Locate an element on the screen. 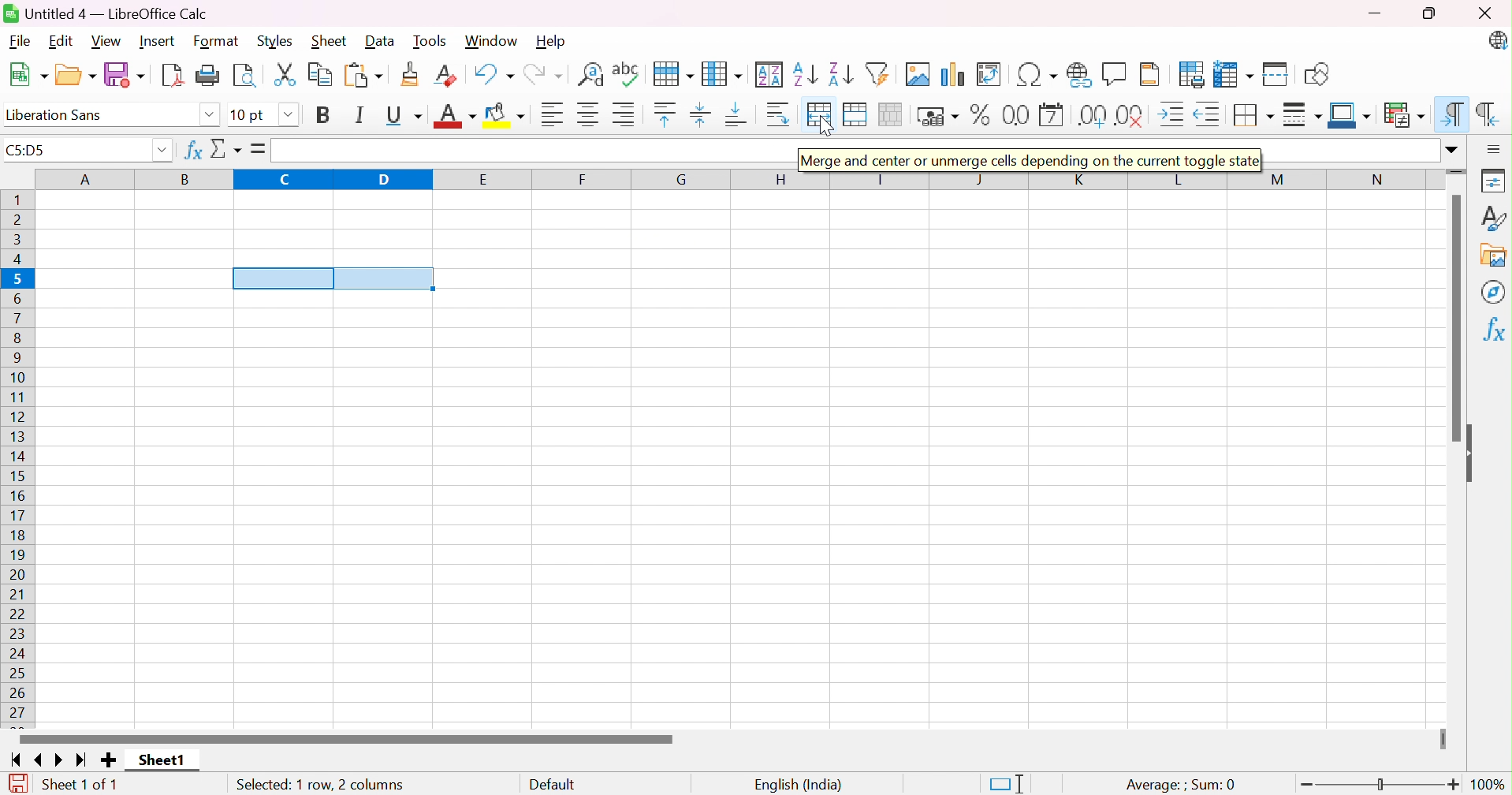  Format as Percent is located at coordinates (978, 116).